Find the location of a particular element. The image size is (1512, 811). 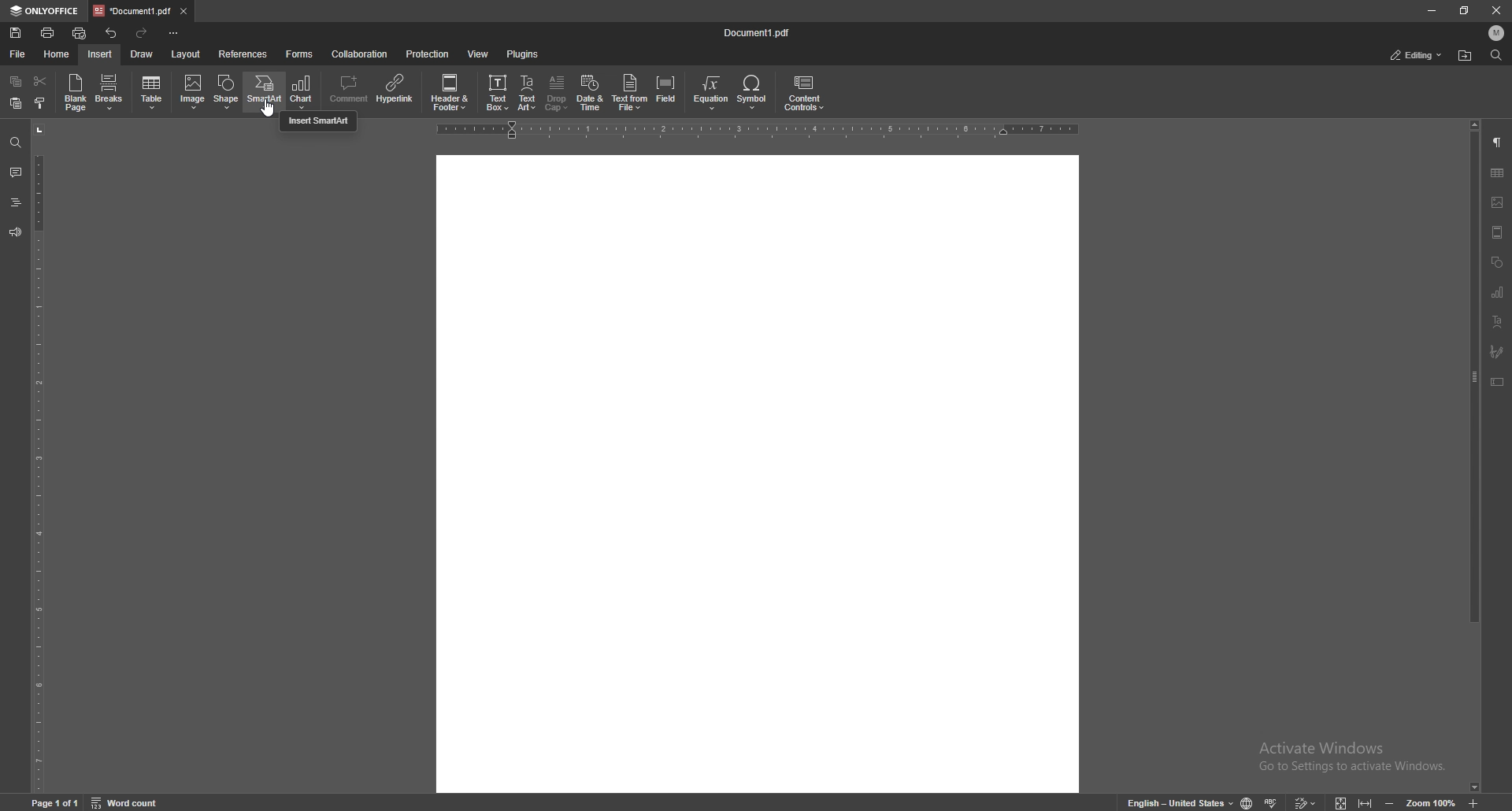

page is located at coordinates (57, 802).